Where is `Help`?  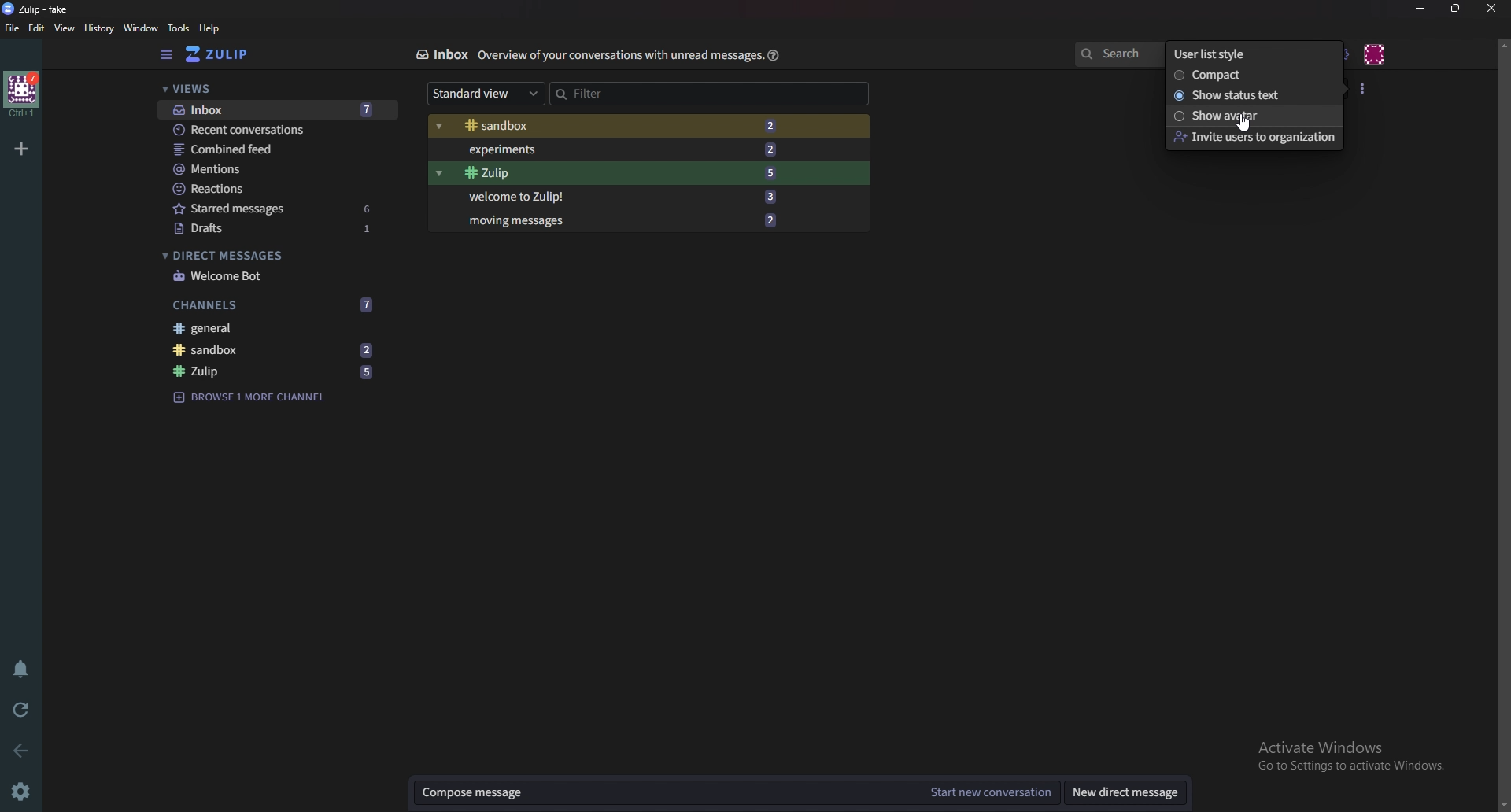
Help is located at coordinates (774, 55).